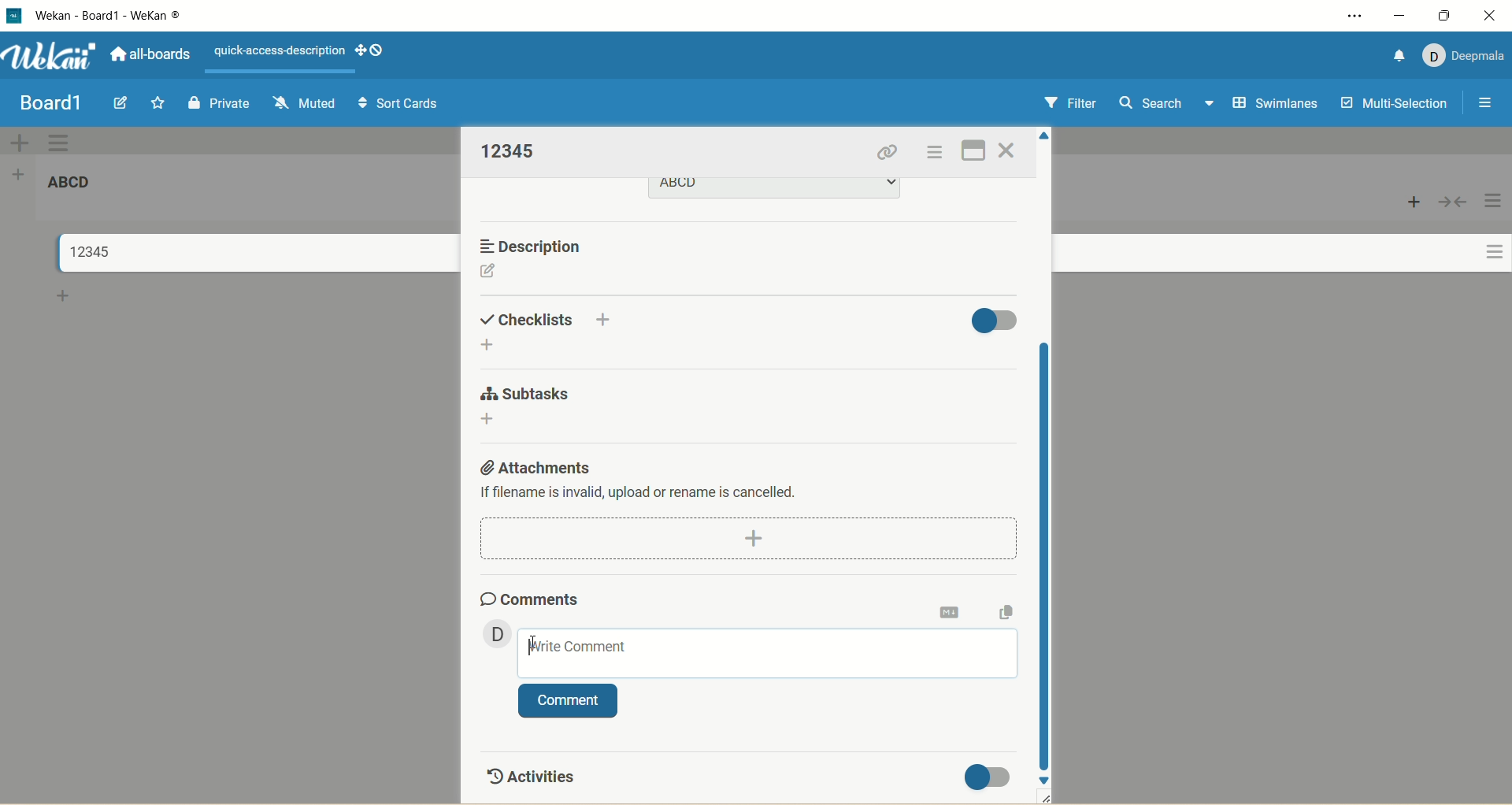 The height and width of the screenshot is (805, 1512). What do you see at coordinates (380, 50) in the screenshot?
I see `show-desktop-drag-handles` at bounding box center [380, 50].